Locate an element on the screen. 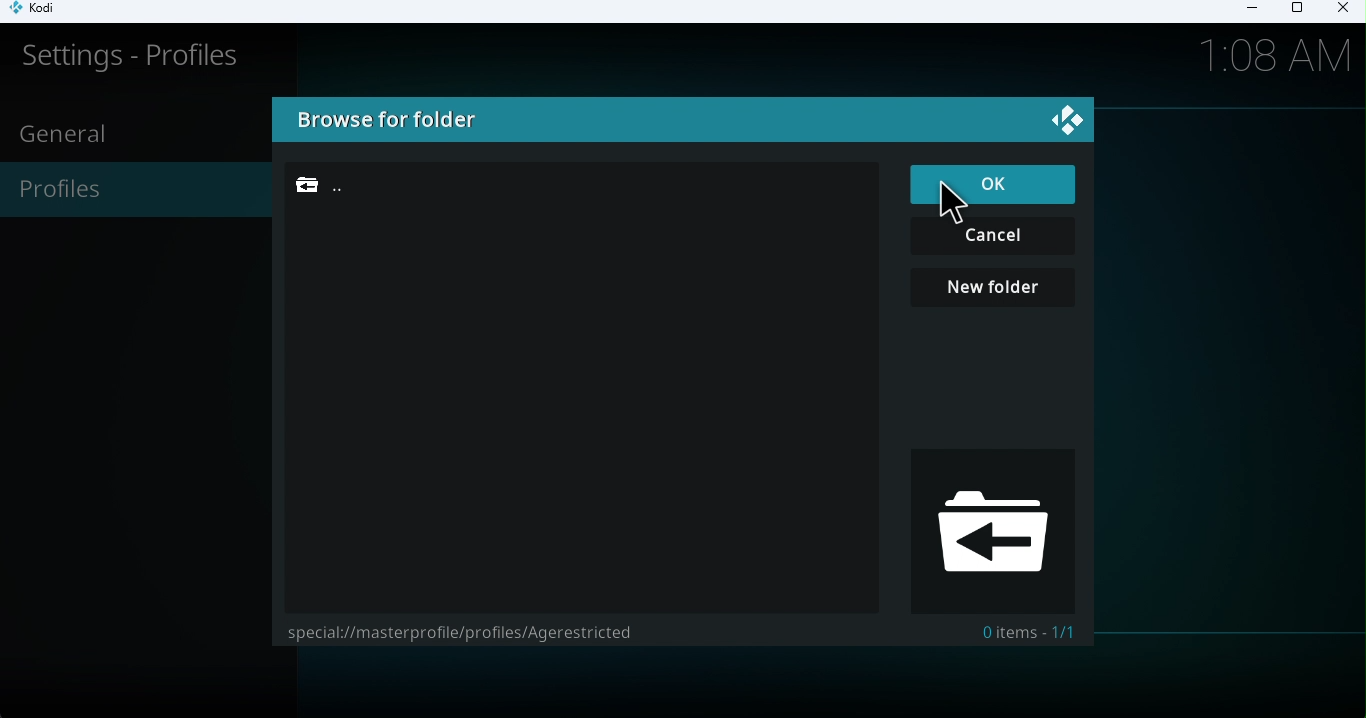 This screenshot has width=1366, height=718. OK is located at coordinates (994, 188).